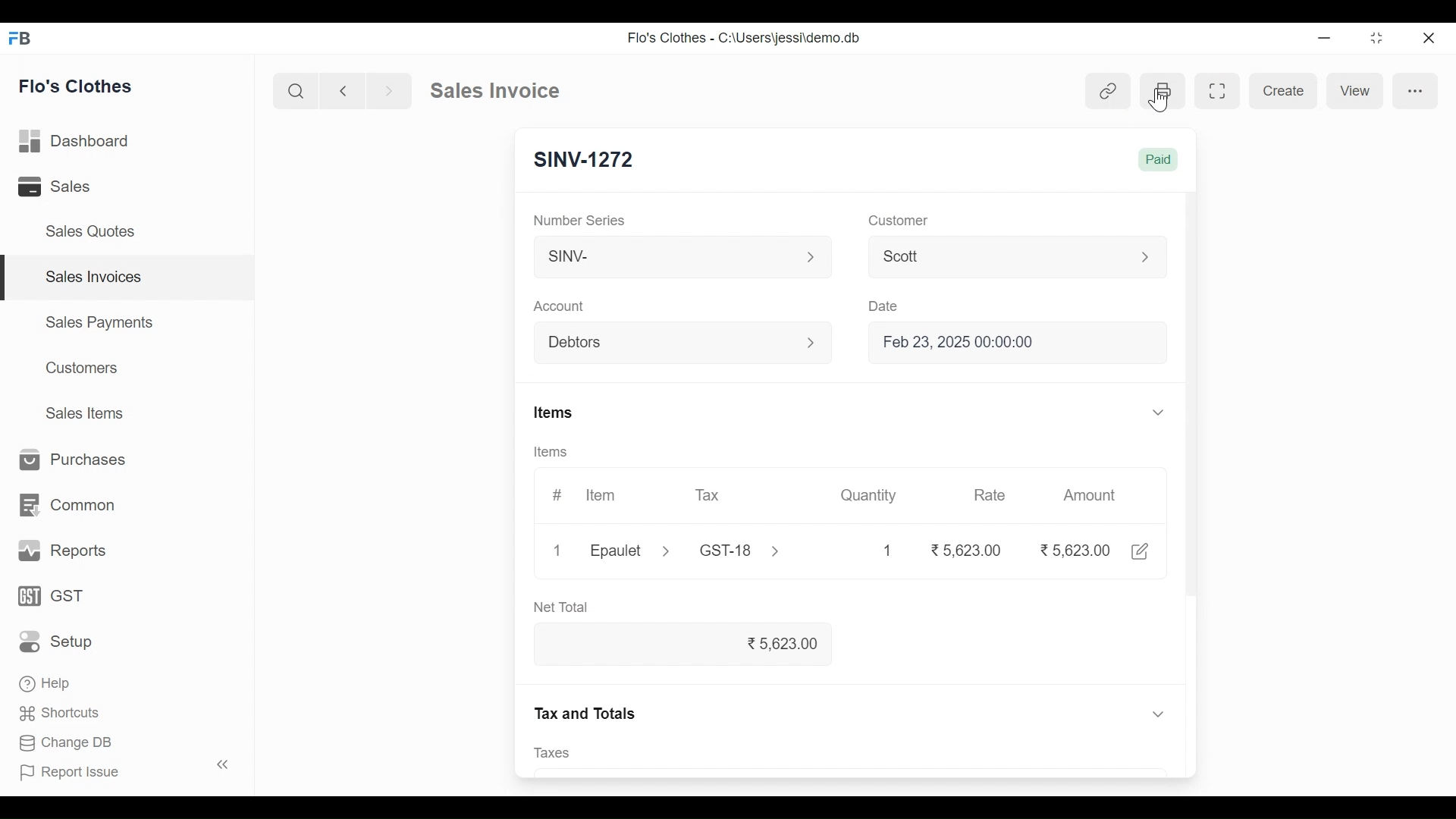  I want to click on 5,623.00, so click(1070, 549).